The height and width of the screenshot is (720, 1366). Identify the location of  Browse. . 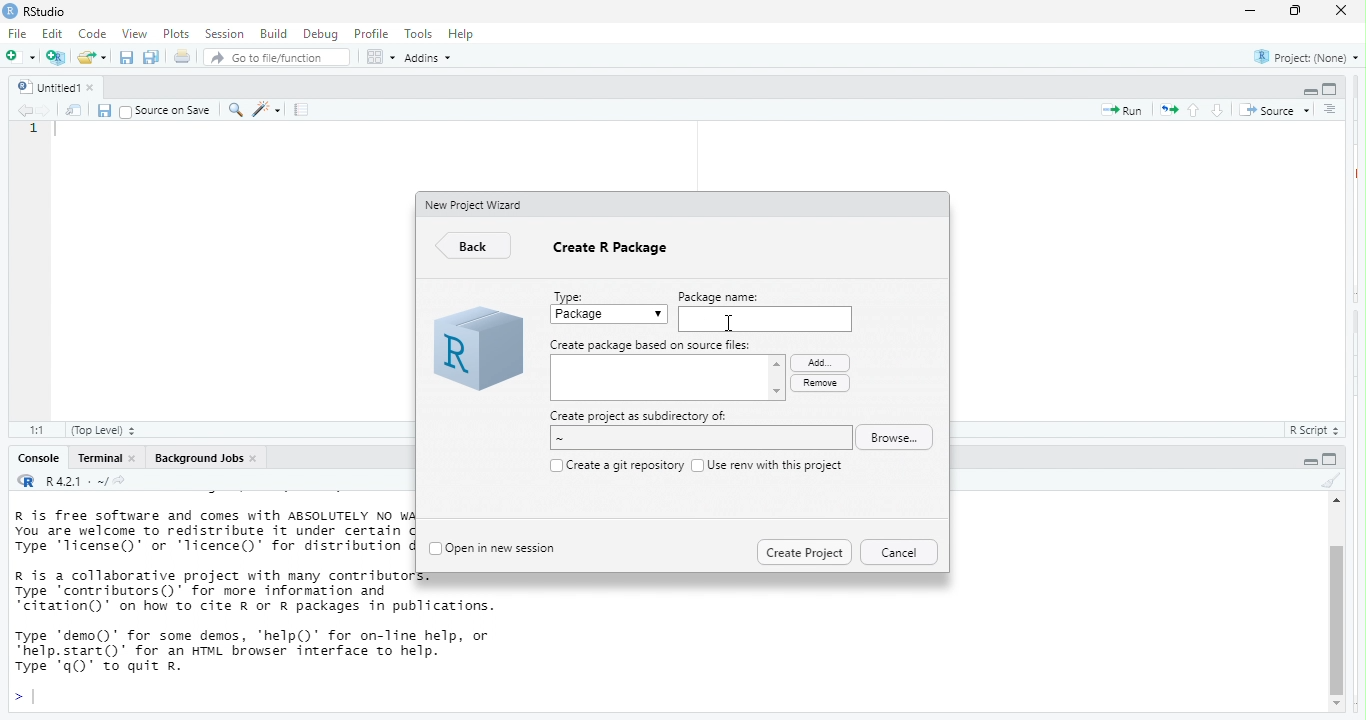
(899, 438).